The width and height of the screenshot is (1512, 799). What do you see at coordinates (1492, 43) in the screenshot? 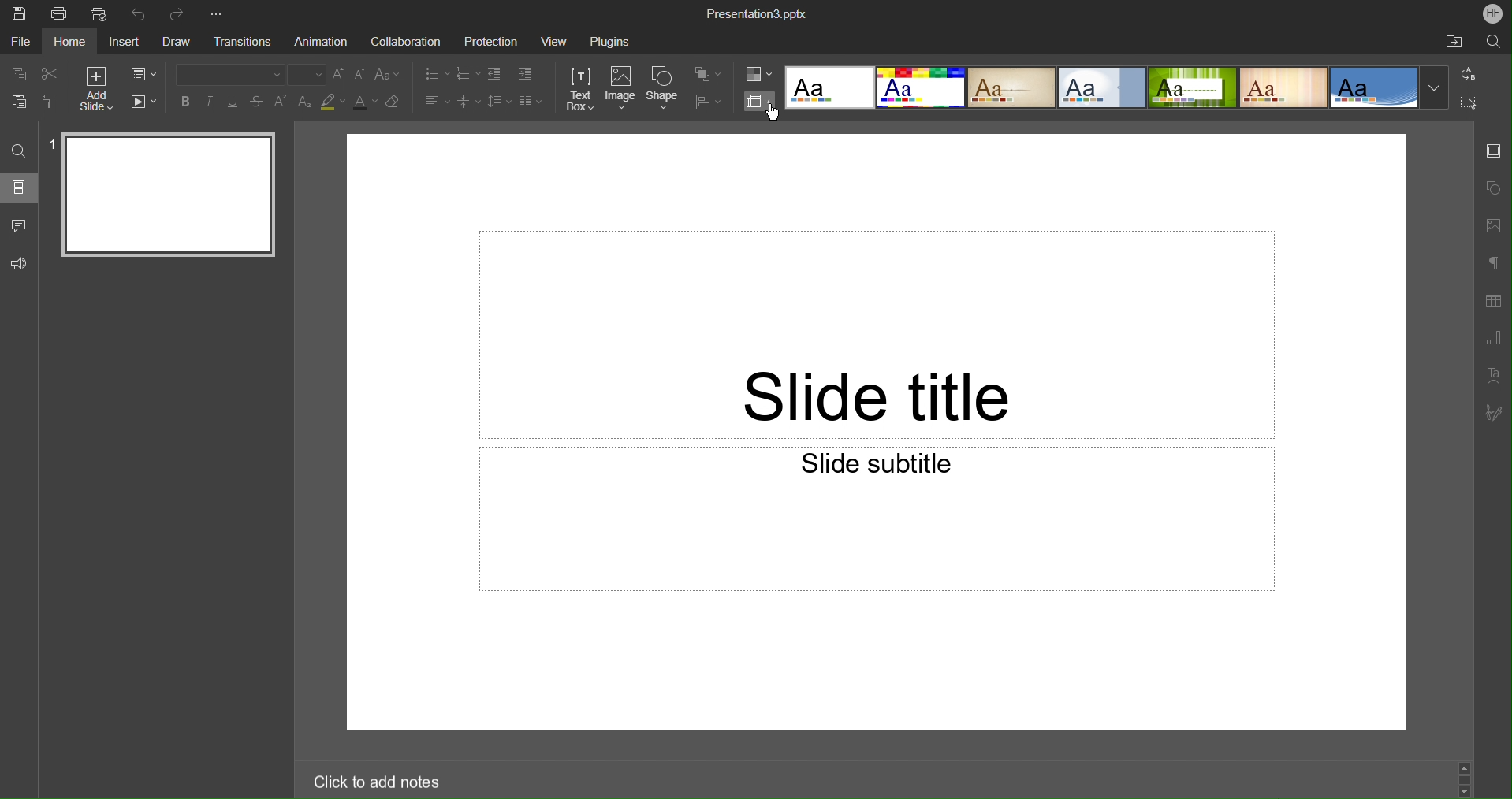
I see `Search` at bounding box center [1492, 43].